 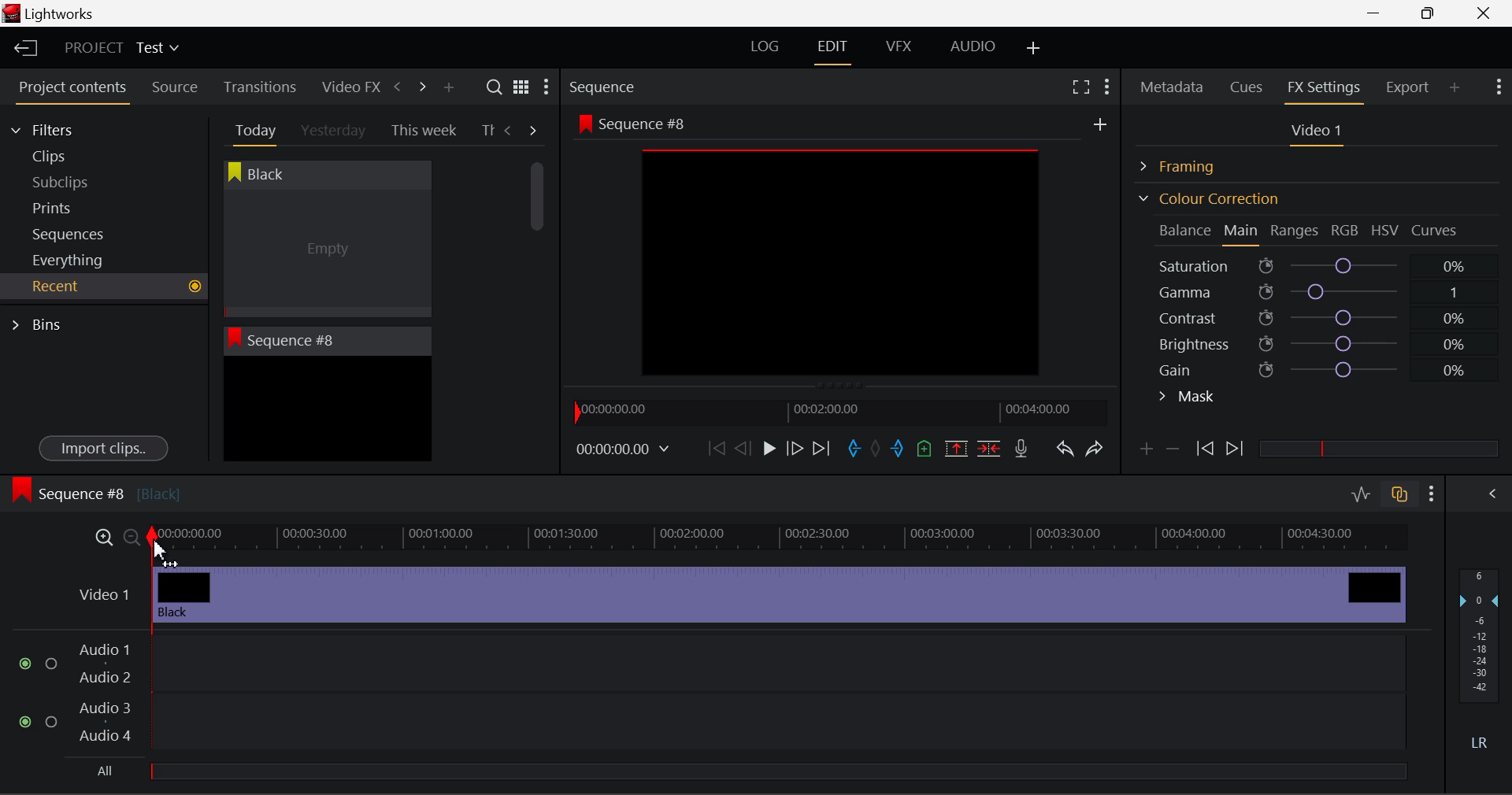 What do you see at coordinates (1378, 448) in the screenshot?
I see `slider` at bounding box center [1378, 448].